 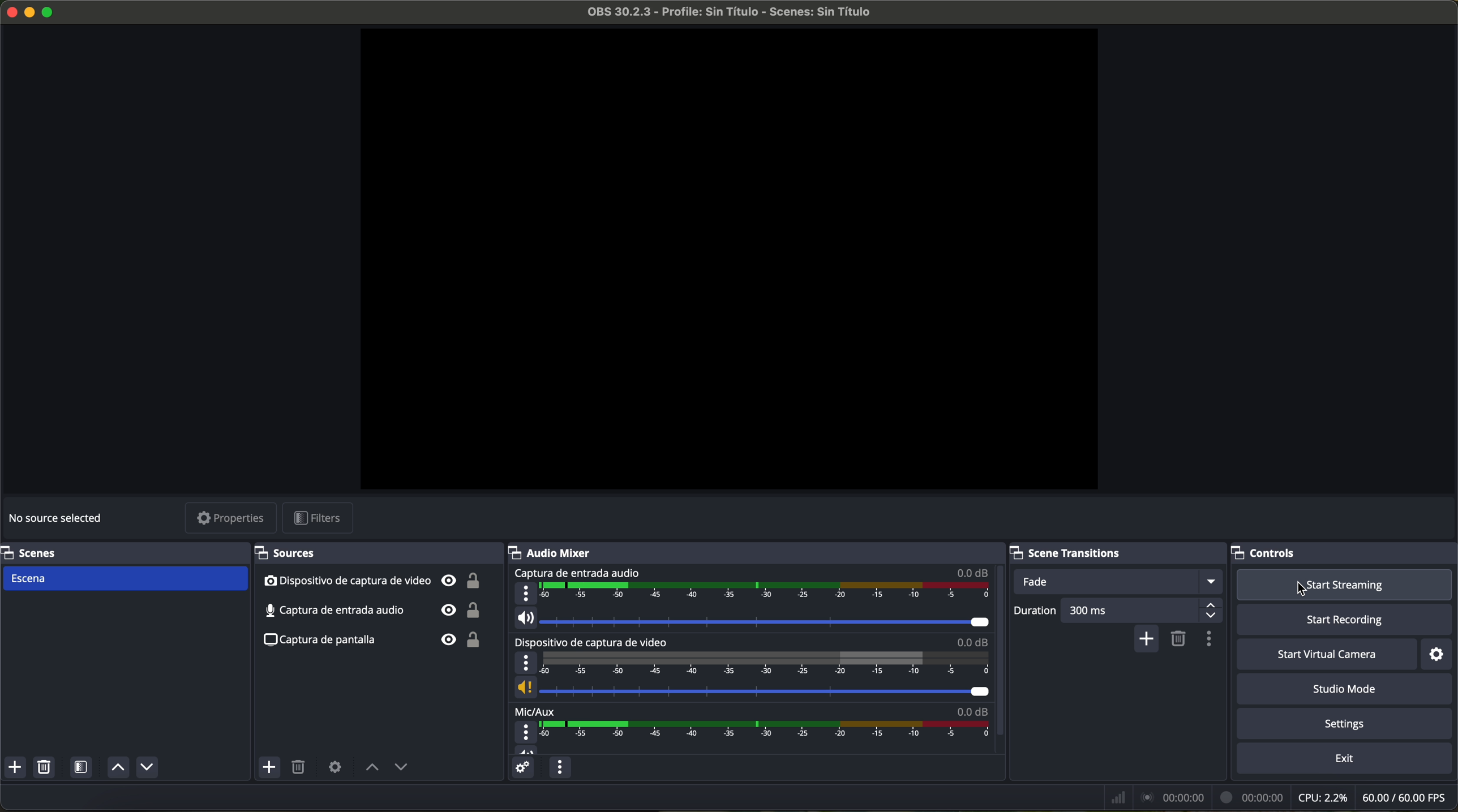 What do you see at coordinates (271, 768) in the screenshot?
I see `add sources` at bounding box center [271, 768].